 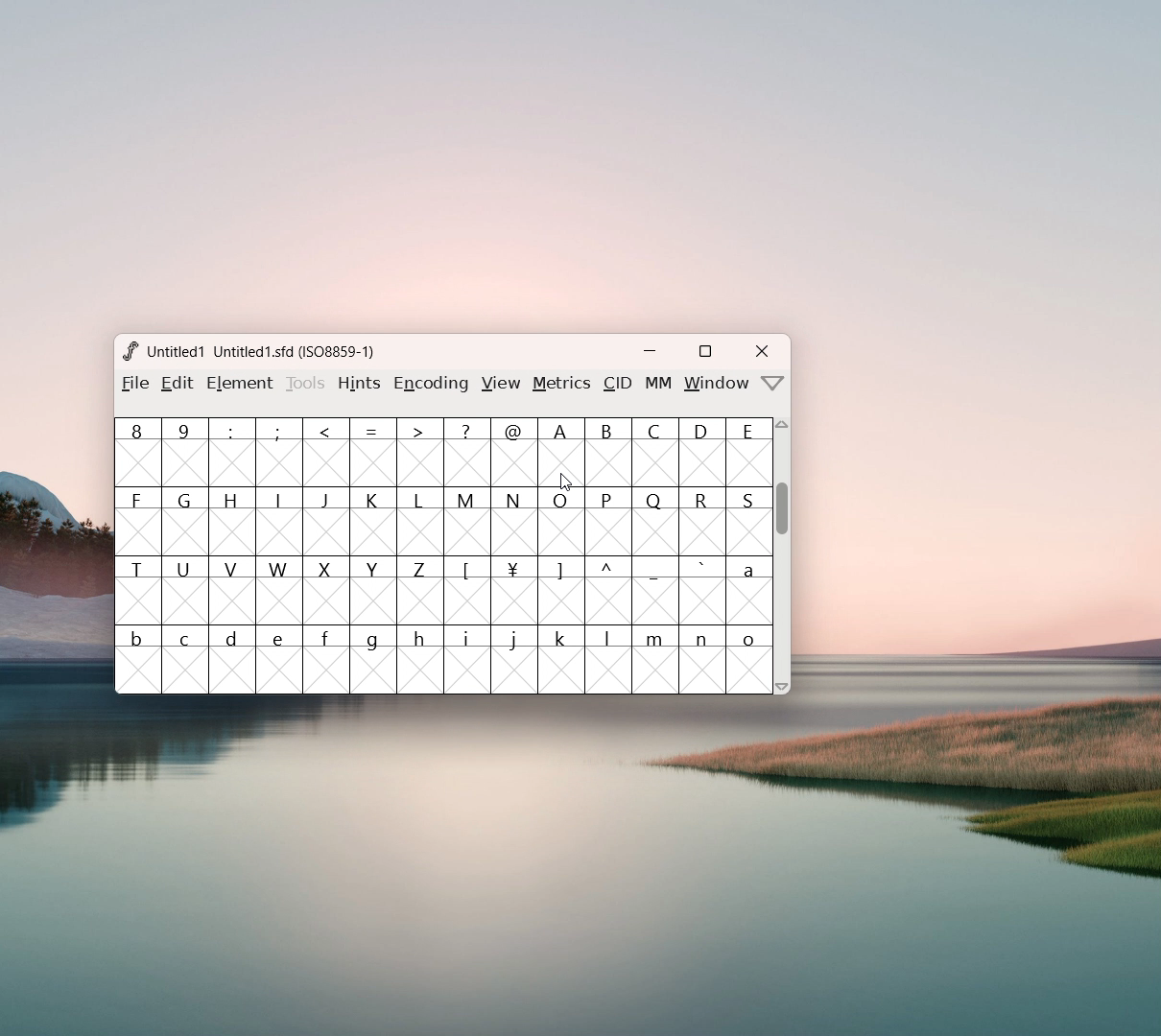 What do you see at coordinates (514, 591) in the screenshot?
I see `¥` at bounding box center [514, 591].